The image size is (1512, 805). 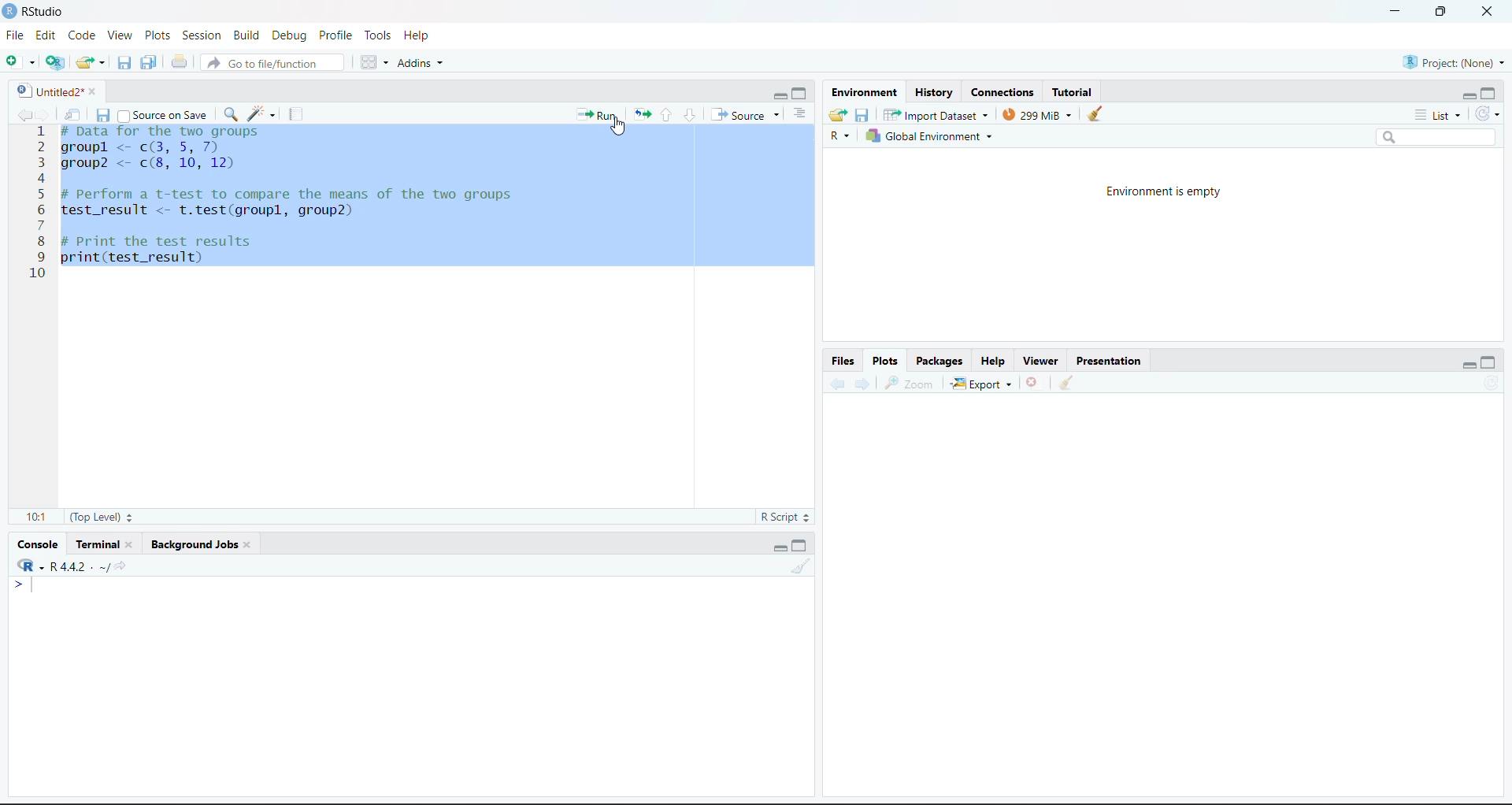 I want to click on Untitled2*, so click(x=47, y=92).